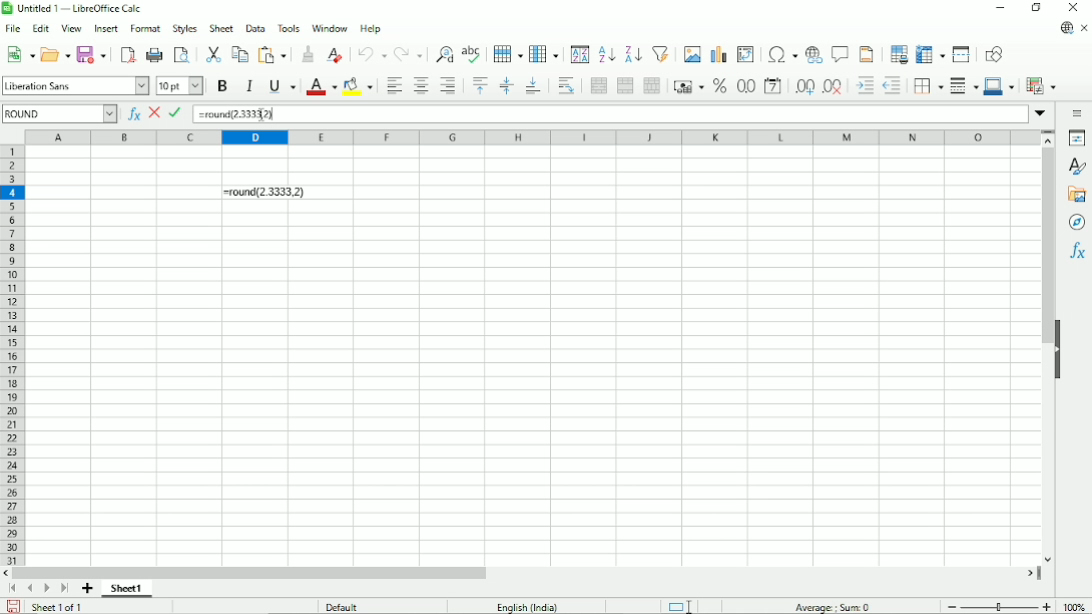  Describe the element at coordinates (865, 86) in the screenshot. I see `Decrease indent` at that location.